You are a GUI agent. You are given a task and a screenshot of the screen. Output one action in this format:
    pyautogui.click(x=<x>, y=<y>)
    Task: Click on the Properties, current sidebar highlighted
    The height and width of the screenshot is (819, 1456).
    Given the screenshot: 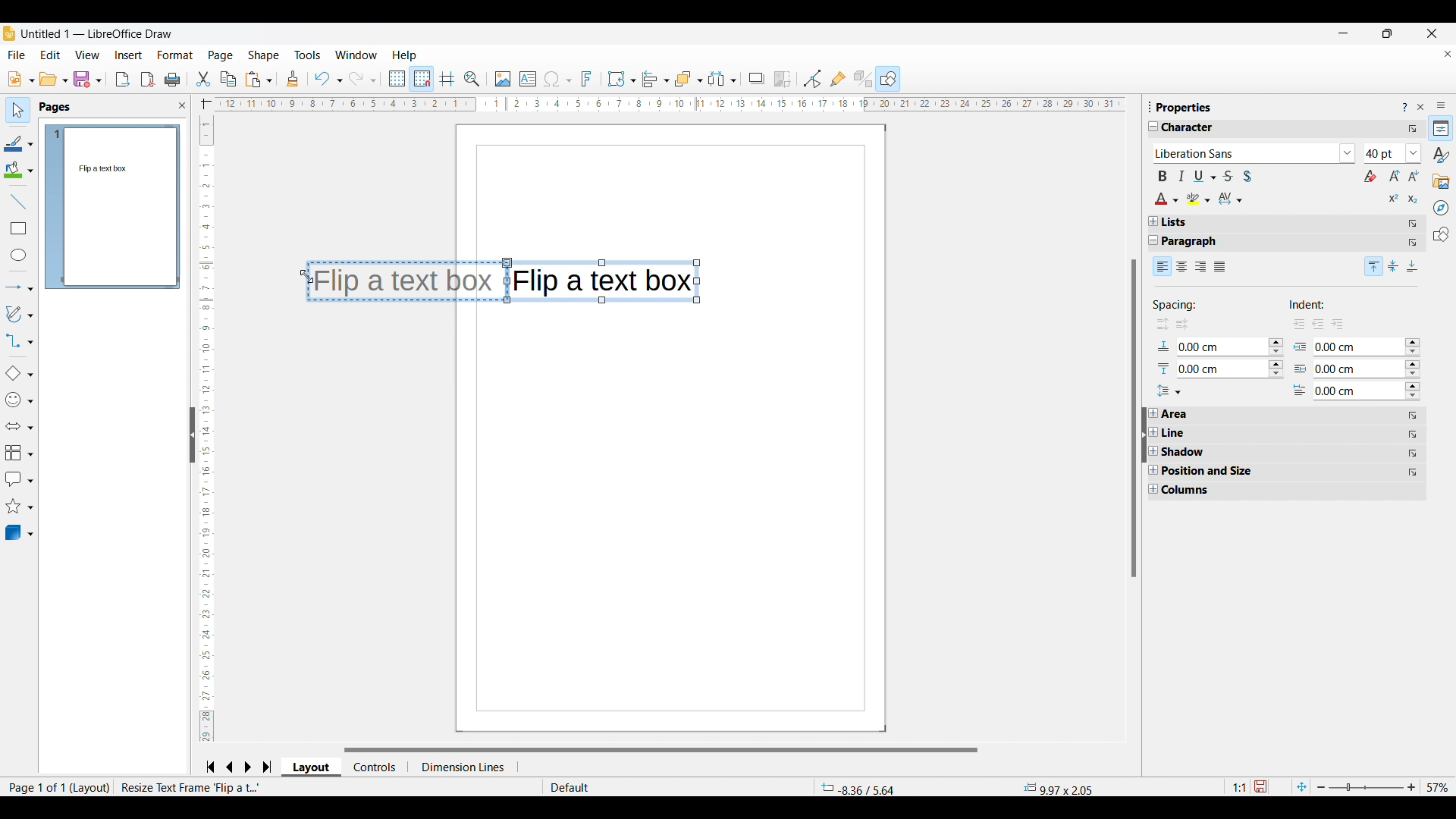 What is the action you would take?
    pyautogui.click(x=1440, y=128)
    